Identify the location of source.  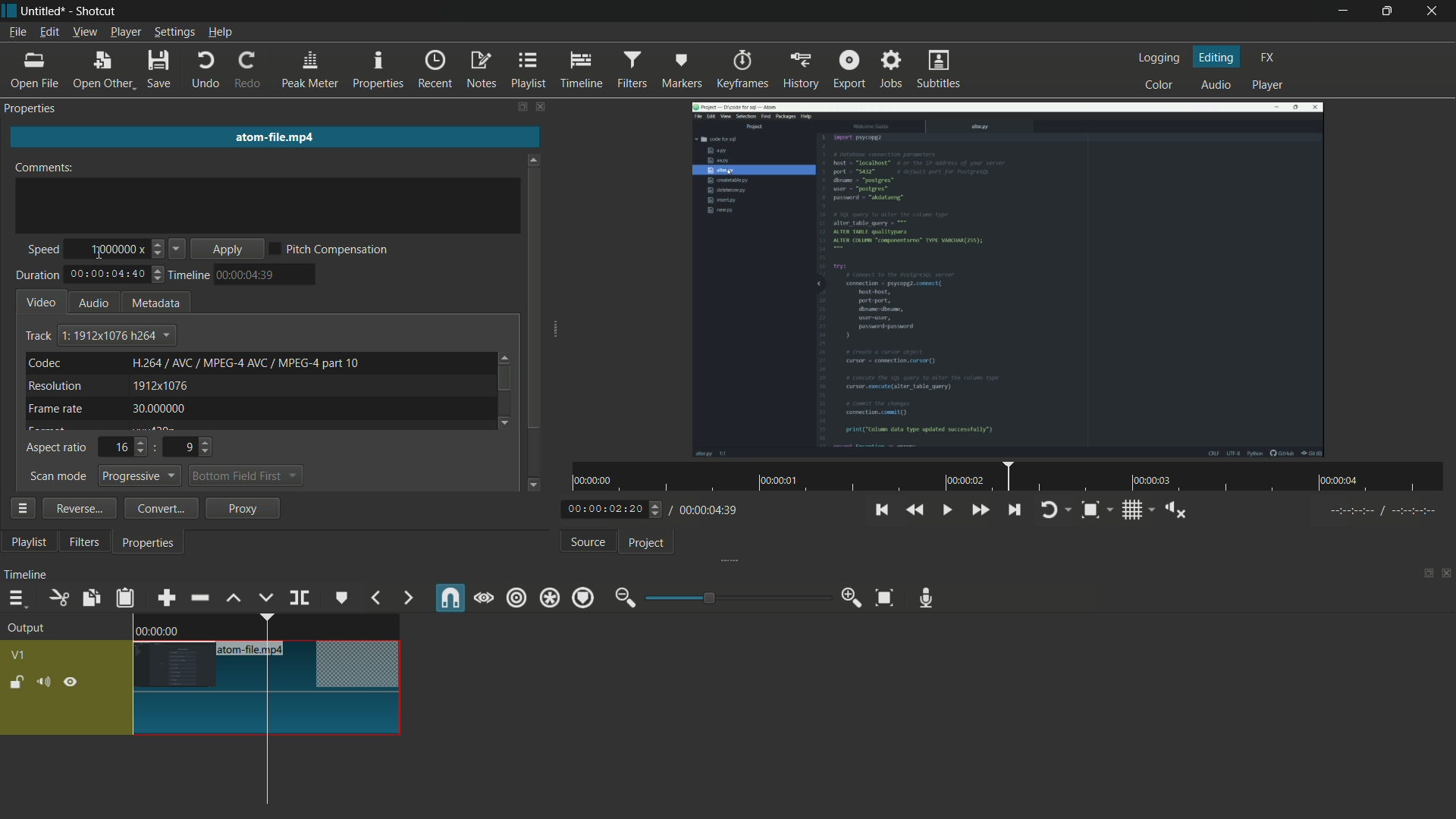
(589, 542).